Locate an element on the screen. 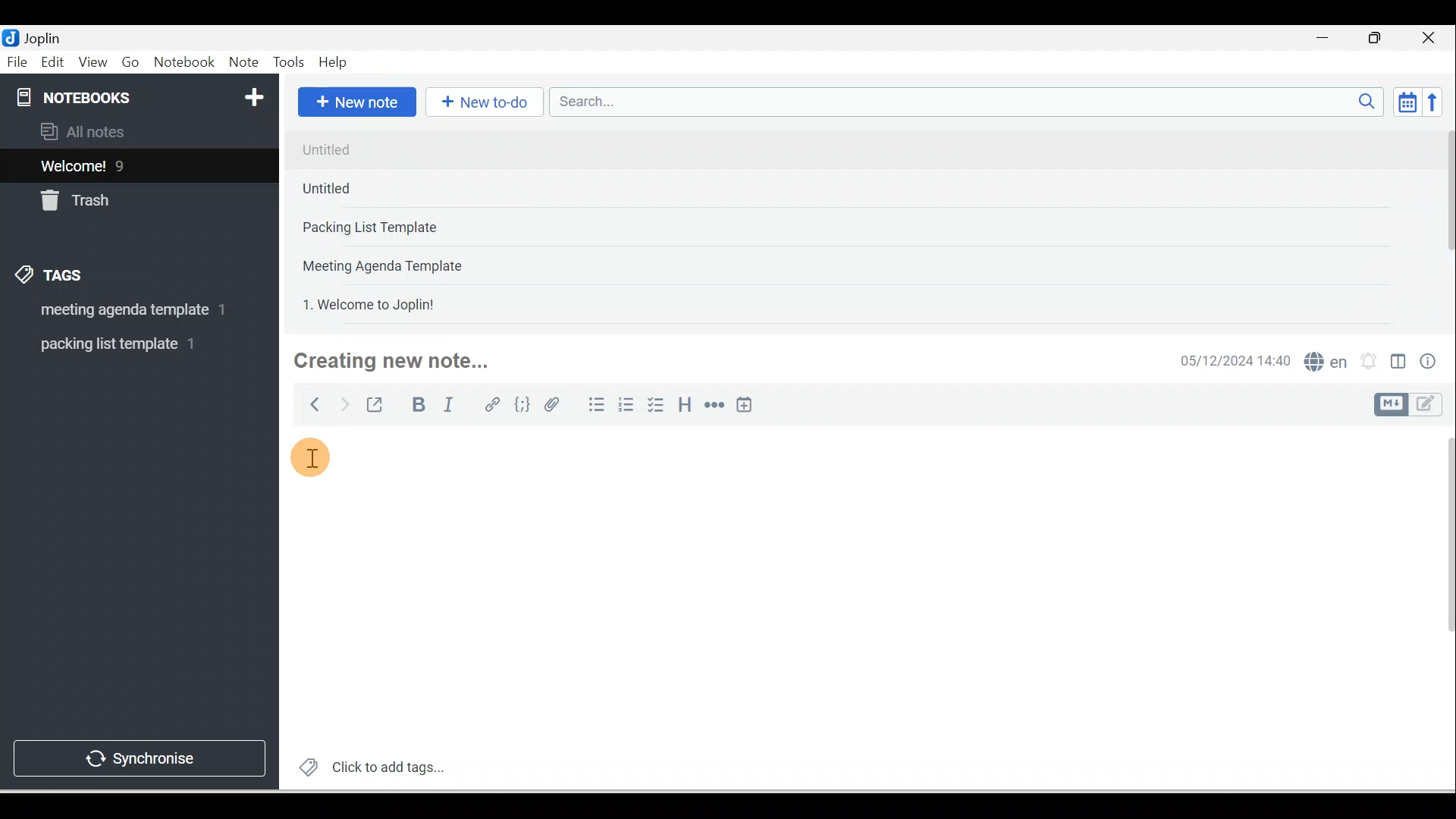  Date & time is located at coordinates (1232, 361).